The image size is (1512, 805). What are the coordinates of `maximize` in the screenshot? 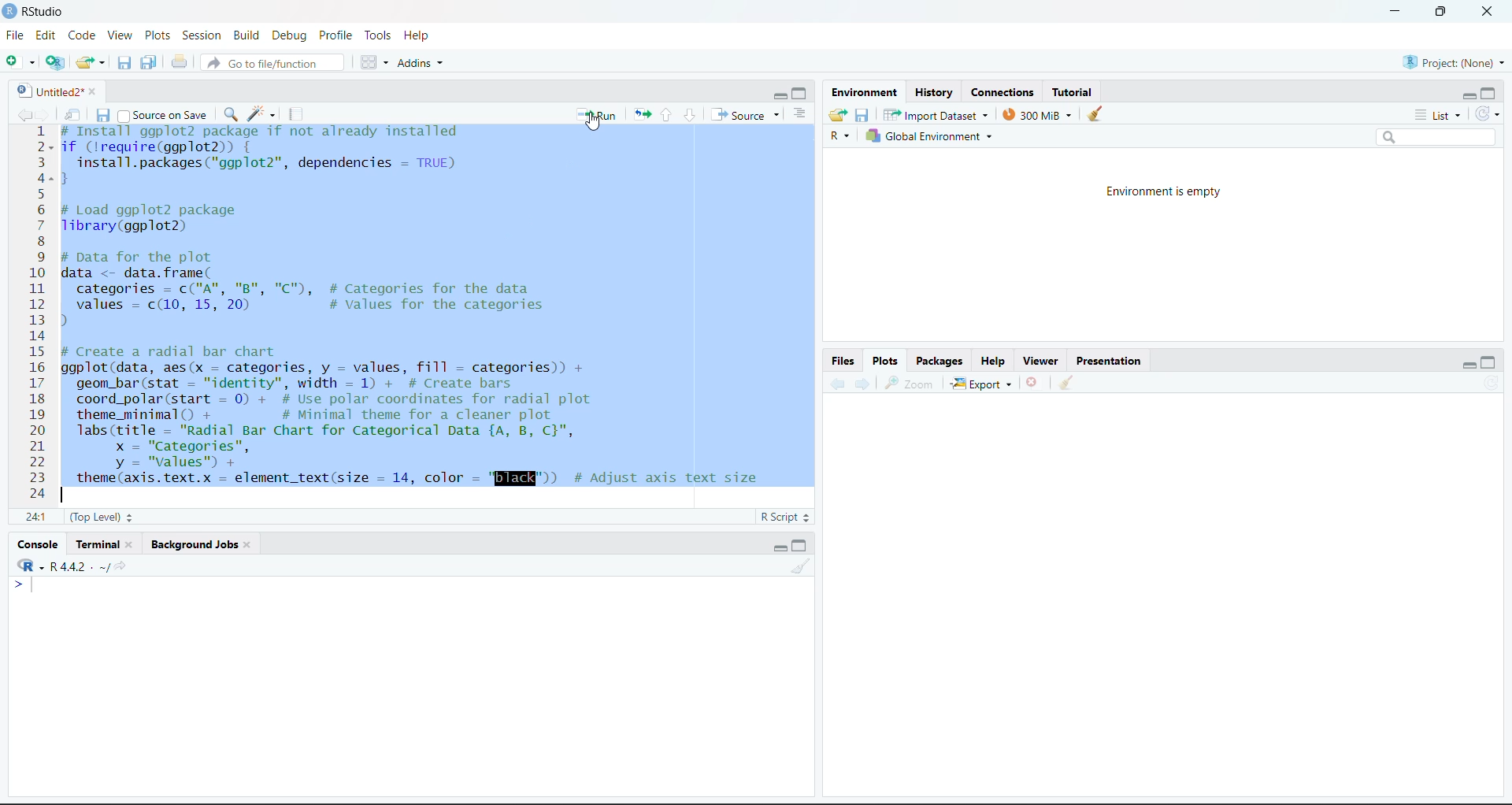 It's located at (1436, 10).